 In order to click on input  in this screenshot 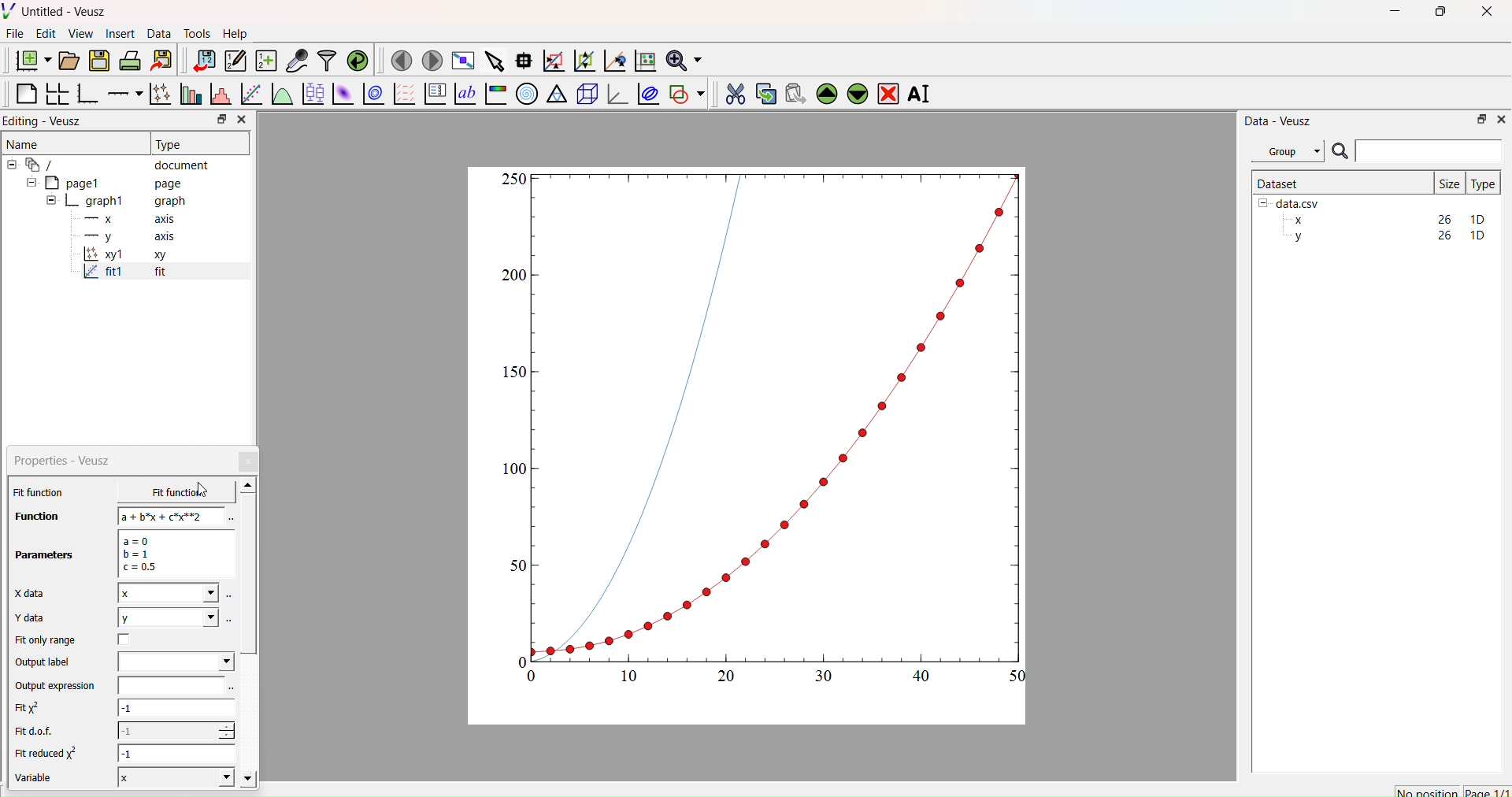, I will do `click(169, 685)`.